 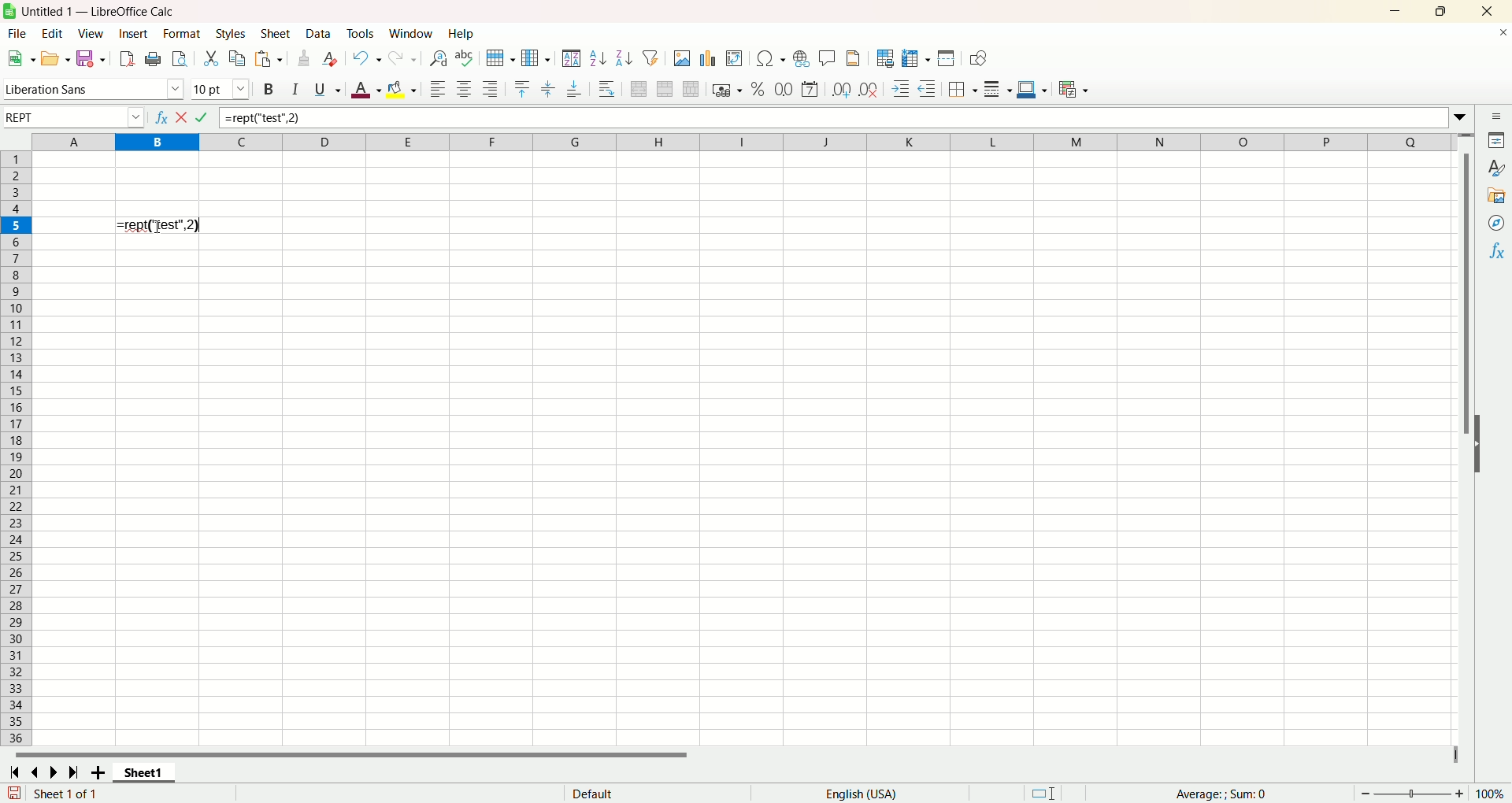 I want to click on undo, so click(x=365, y=58).